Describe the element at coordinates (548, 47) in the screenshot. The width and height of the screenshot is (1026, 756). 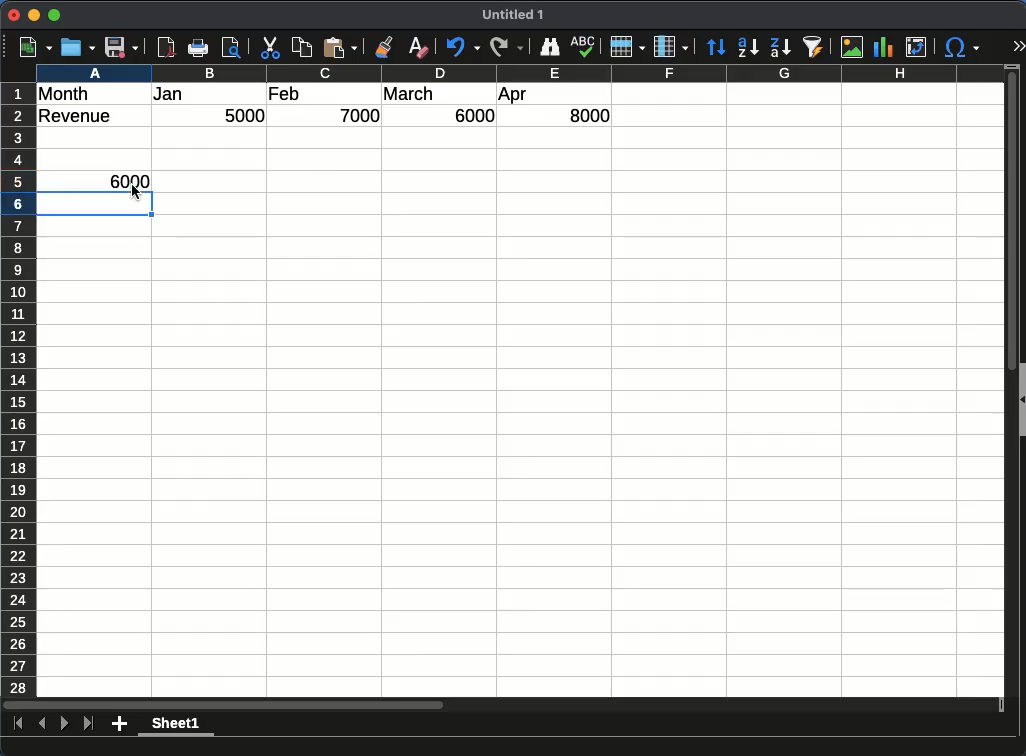
I see `finder` at that location.